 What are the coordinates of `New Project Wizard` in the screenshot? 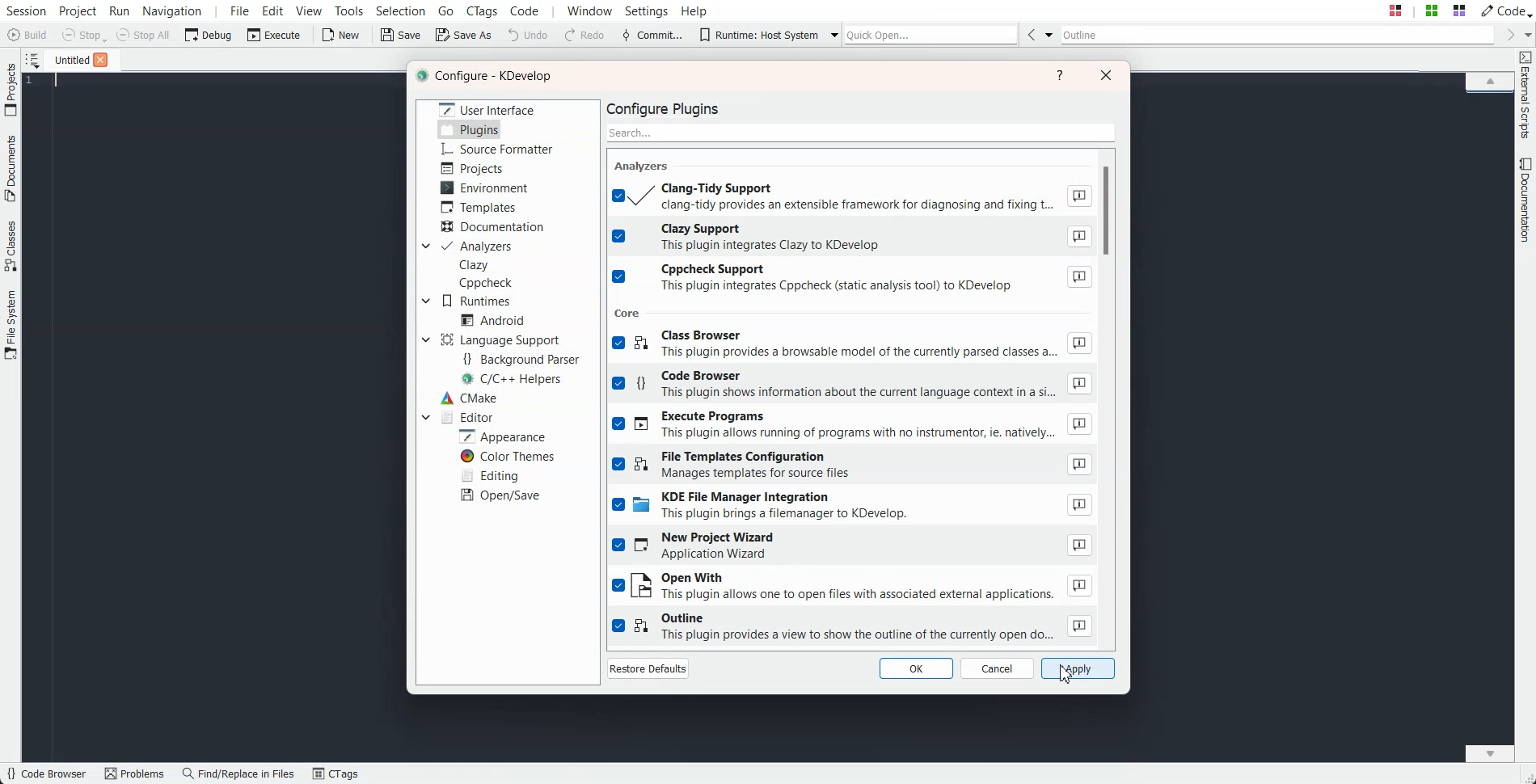 It's located at (853, 547).